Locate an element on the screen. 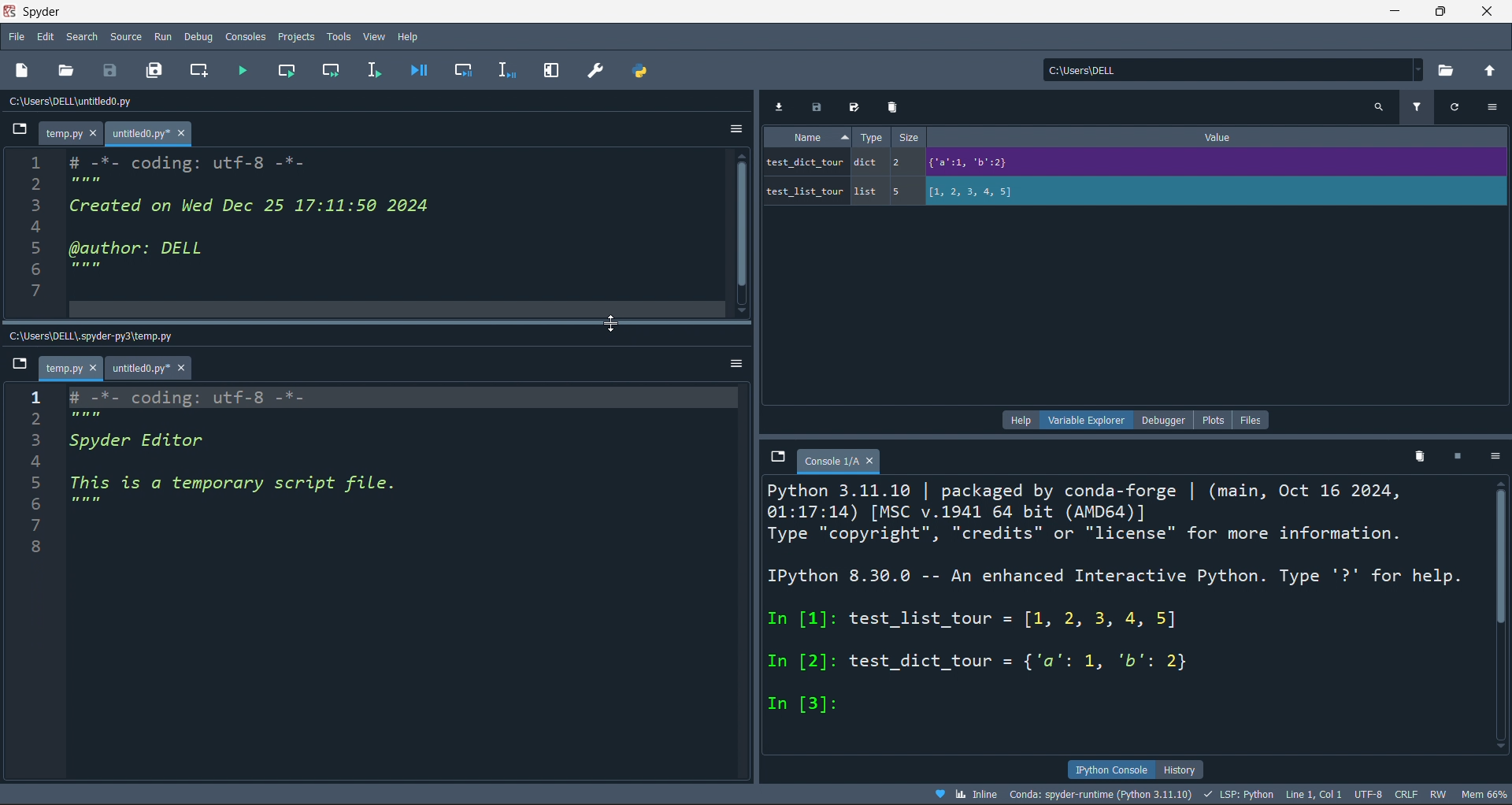  edit is located at coordinates (46, 36).